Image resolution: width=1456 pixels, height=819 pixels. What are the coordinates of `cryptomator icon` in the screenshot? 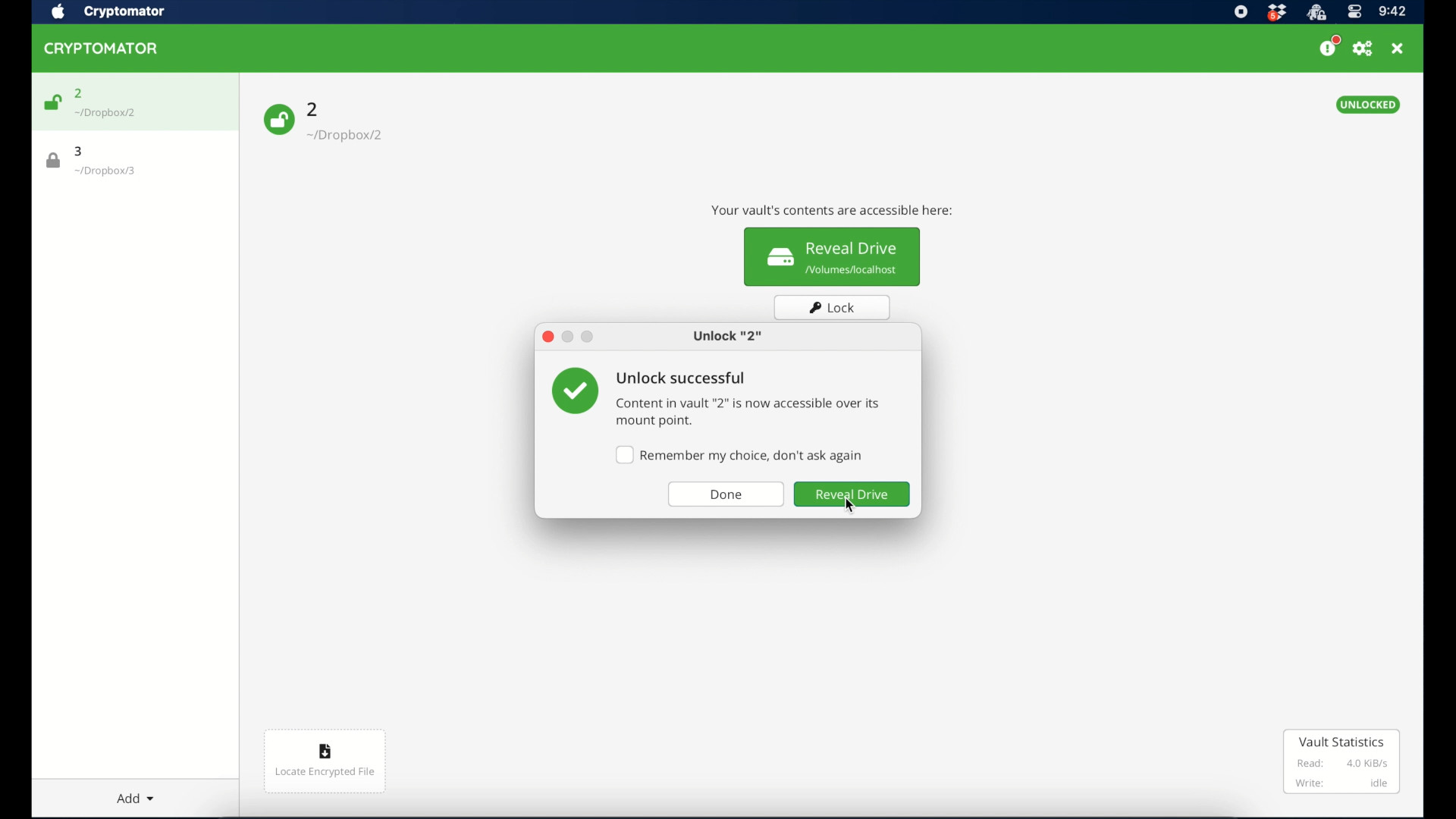 It's located at (1316, 13).